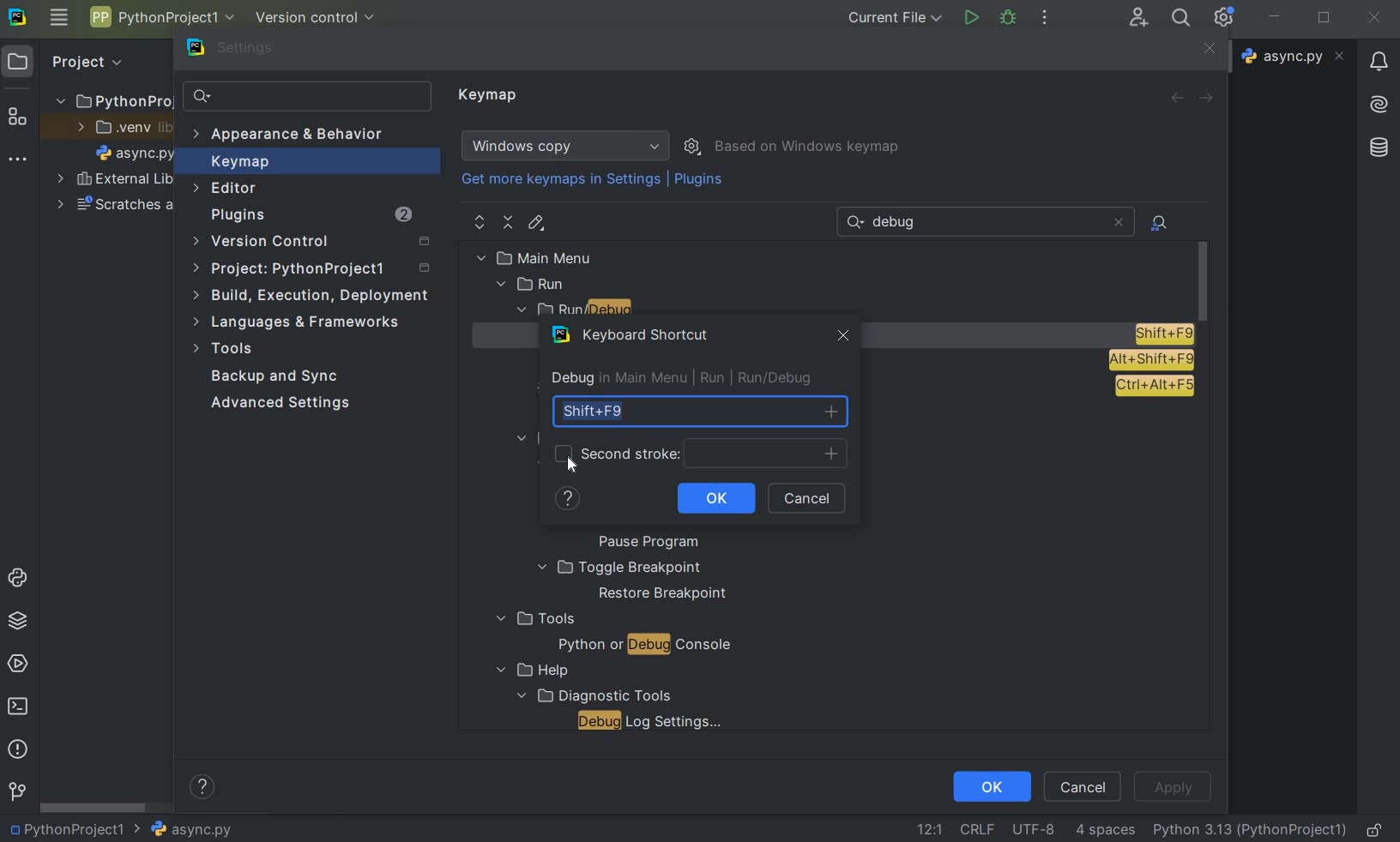 The image size is (1400, 842). What do you see at coordinates (298, 136) in the screenshot?
I see `appearance & behavior` at bounding box center [298, 136].